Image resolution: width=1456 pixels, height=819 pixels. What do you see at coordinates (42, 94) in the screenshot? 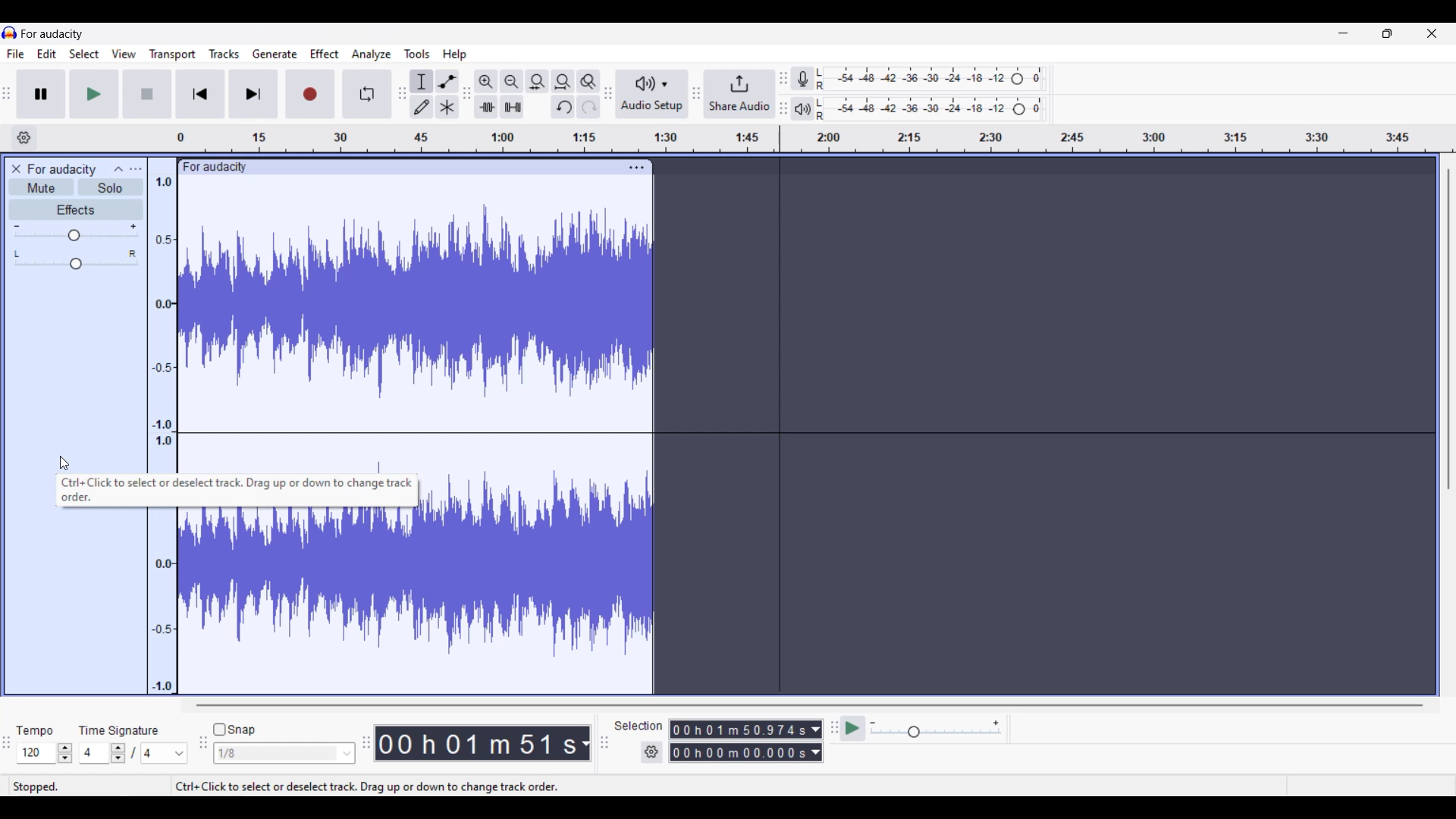
I see `Pause` at bounding box center [42, 94].